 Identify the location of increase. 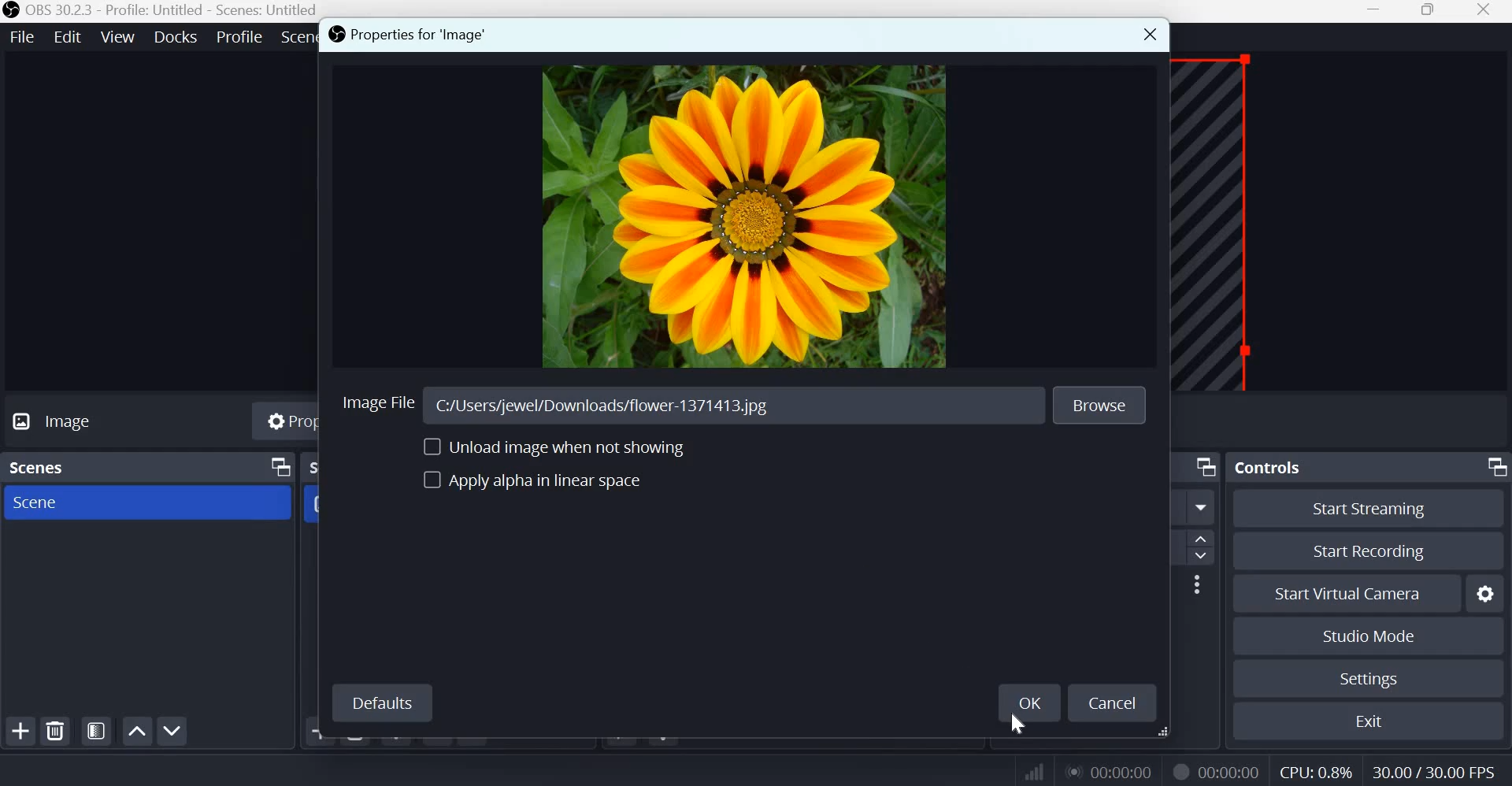
(1206, 539).